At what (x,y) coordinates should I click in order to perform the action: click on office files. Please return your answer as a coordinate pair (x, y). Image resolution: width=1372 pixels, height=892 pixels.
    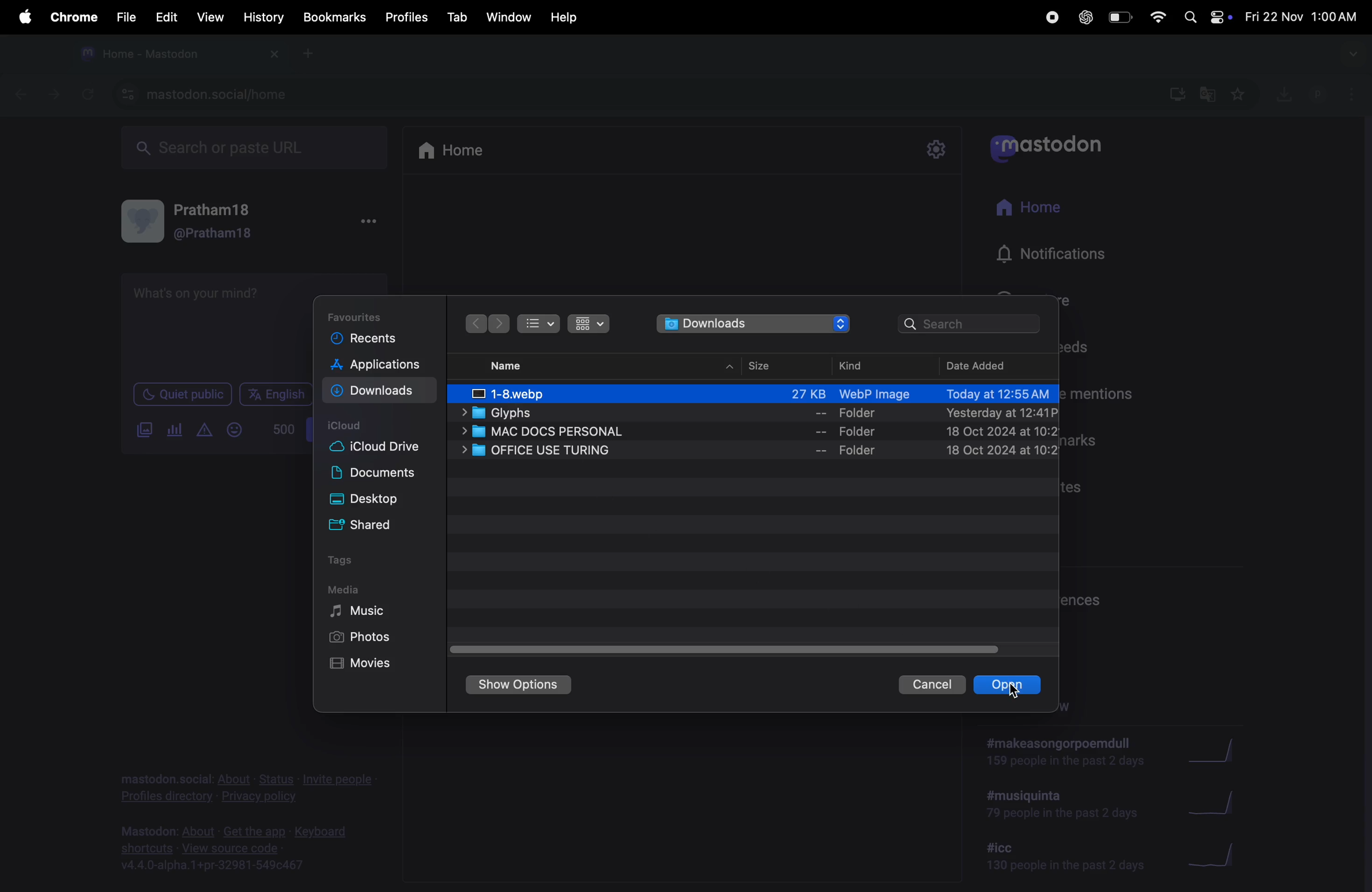
    Looking at the image, I should click on (752, 452).